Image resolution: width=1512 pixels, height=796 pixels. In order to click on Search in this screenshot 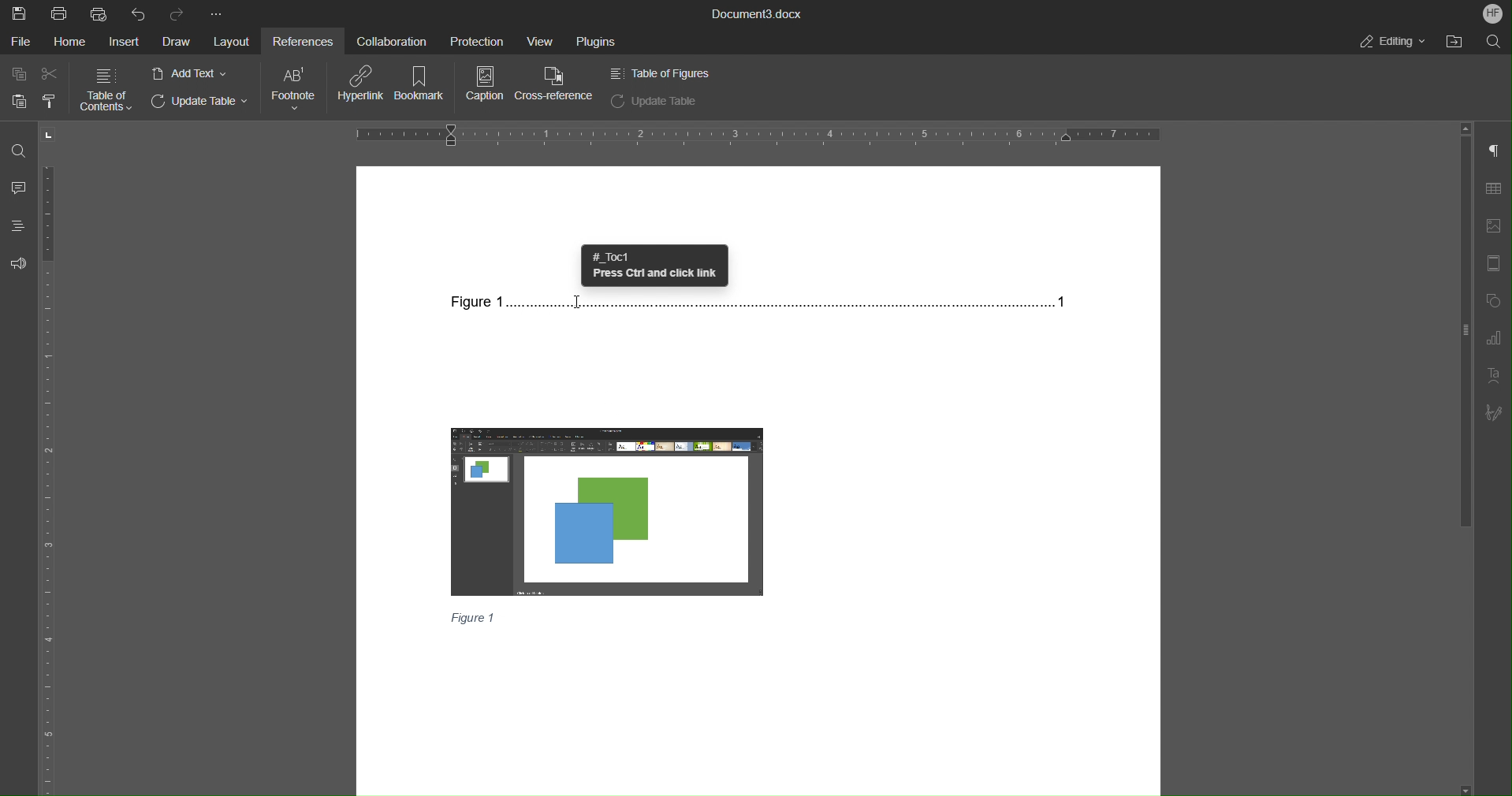, I will do `click(1497, 42)`.